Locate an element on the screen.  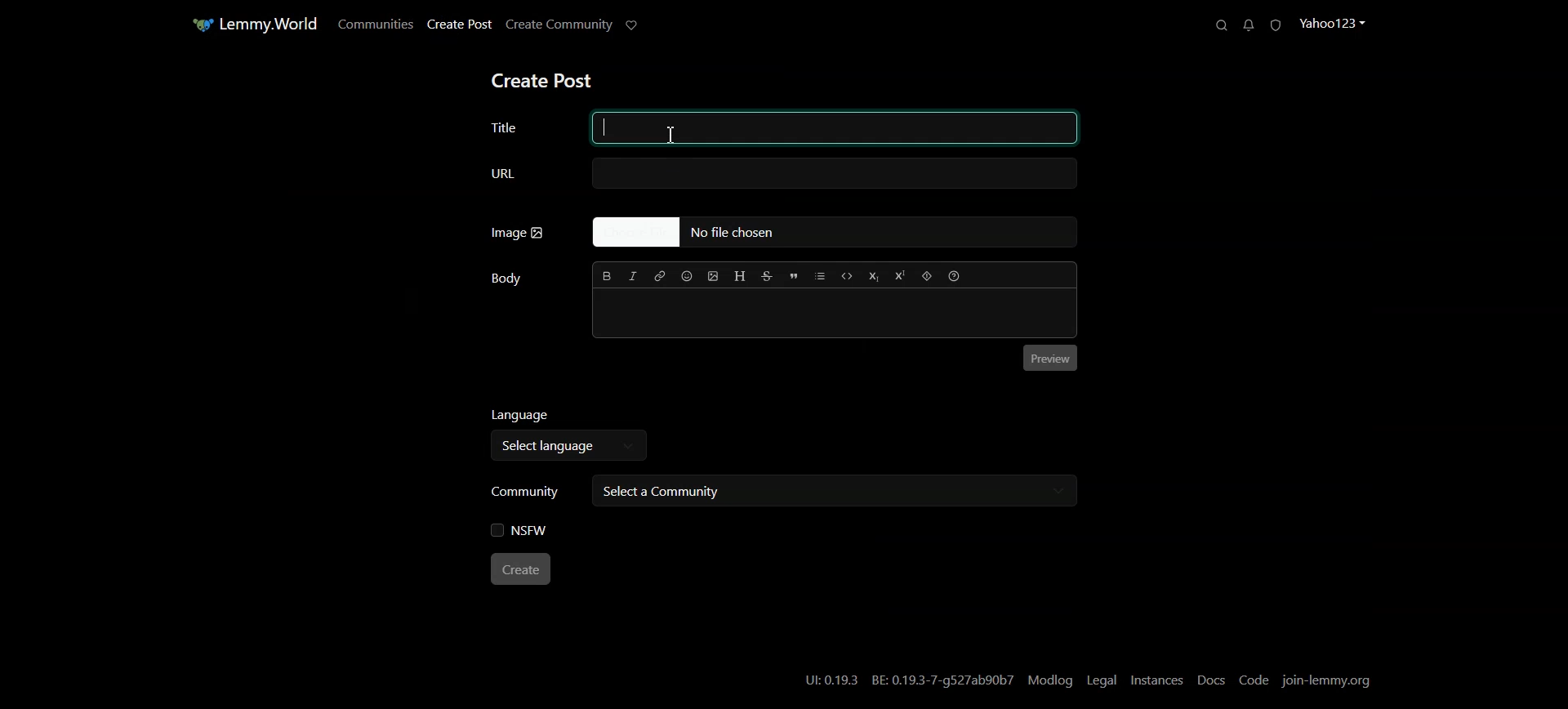
Bold  is located at coordinates (607, 275).